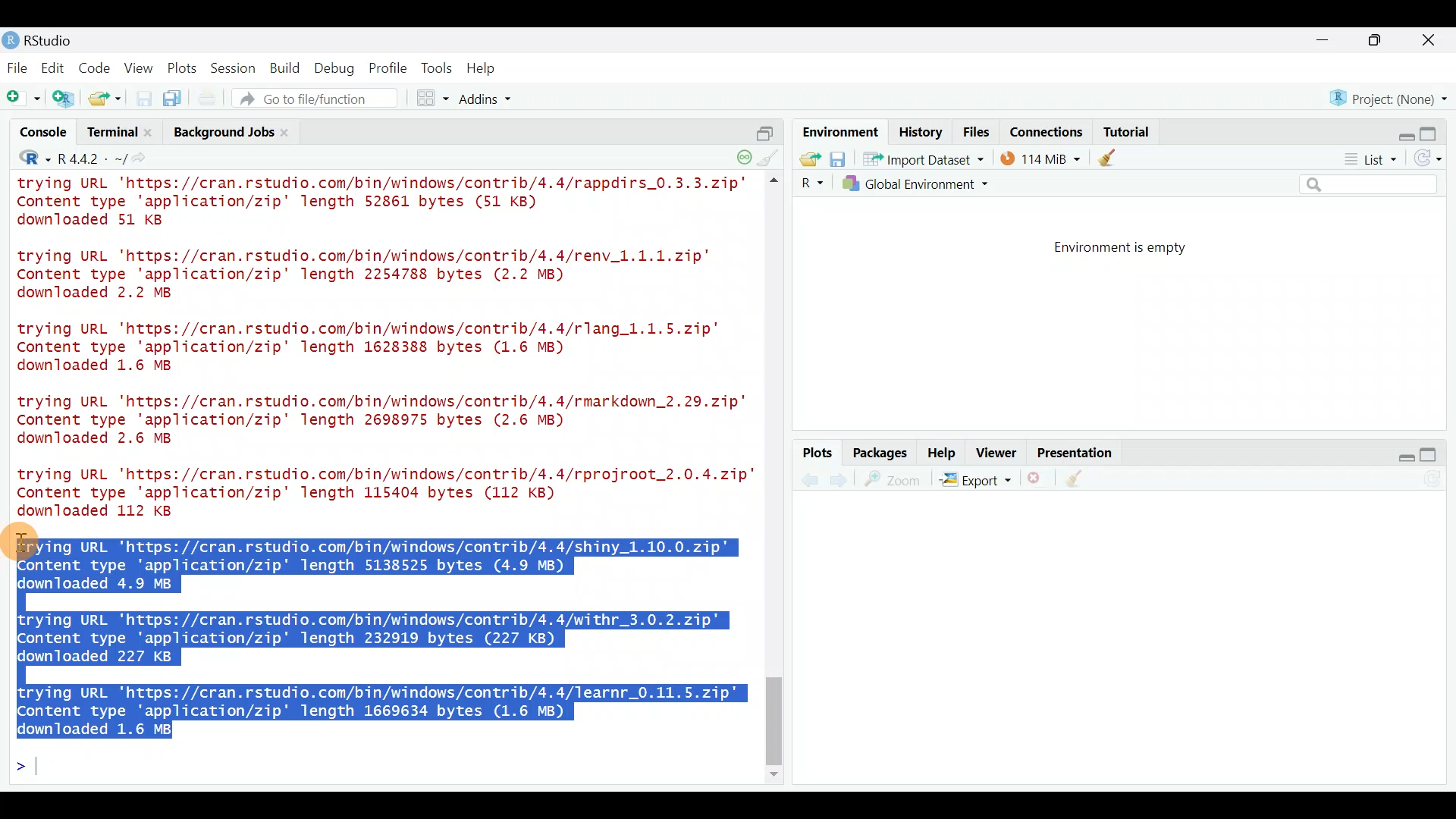 Image resolution: width=1456 pixels, height=819 pixels. What do you see at coordinates (1379, 39) in the screenshot?
I see `maximize` at bounding box center [1379, 39].